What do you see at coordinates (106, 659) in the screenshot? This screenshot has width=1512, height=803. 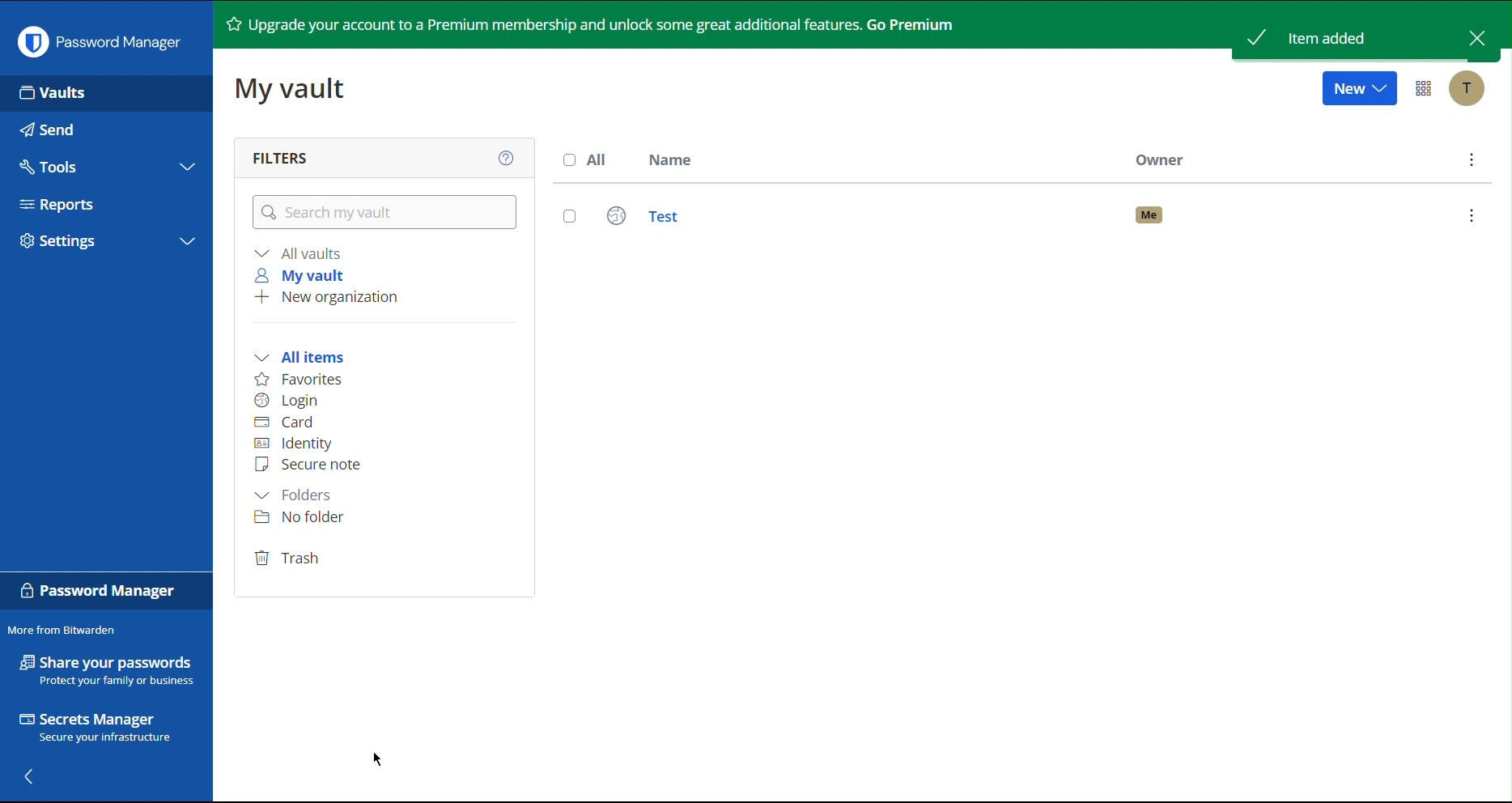 I see `Share your passwords` at bounding box center [106, 659].